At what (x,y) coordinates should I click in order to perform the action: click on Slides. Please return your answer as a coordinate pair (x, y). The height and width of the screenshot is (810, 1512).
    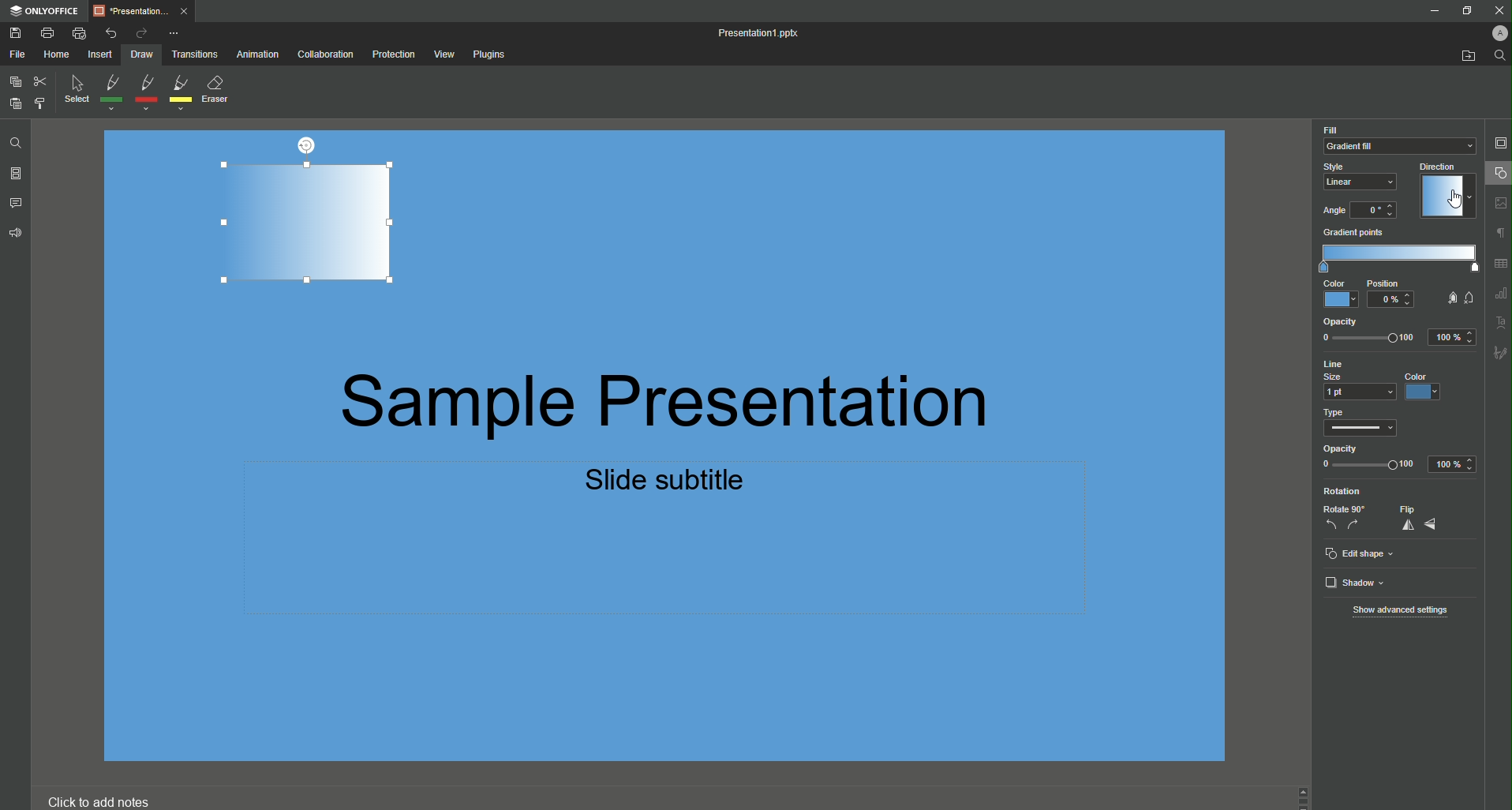
    Looking at the image, I should click on (17, 173).